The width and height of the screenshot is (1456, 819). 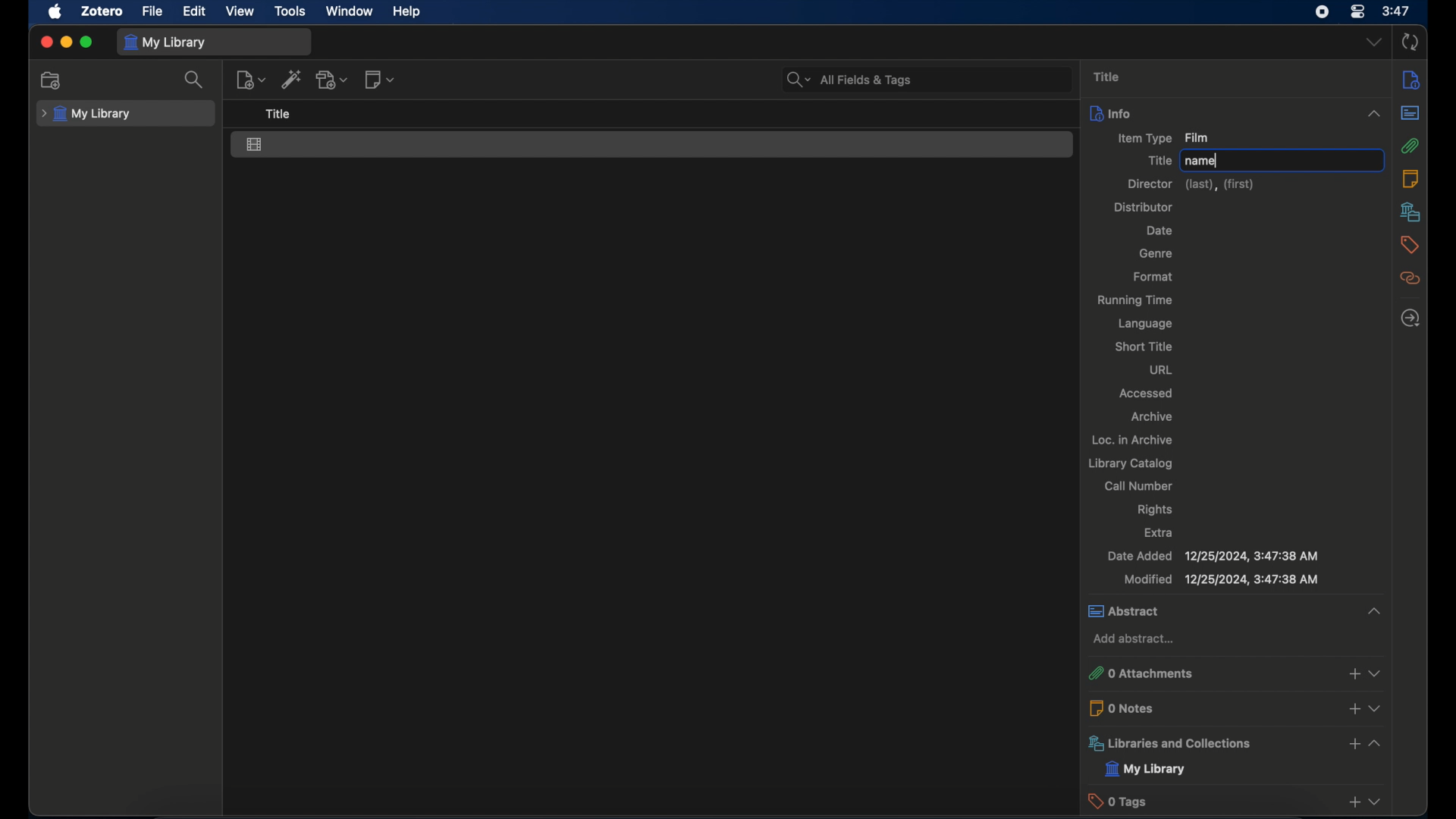 I want to click on close, so click(x=45, y=42).